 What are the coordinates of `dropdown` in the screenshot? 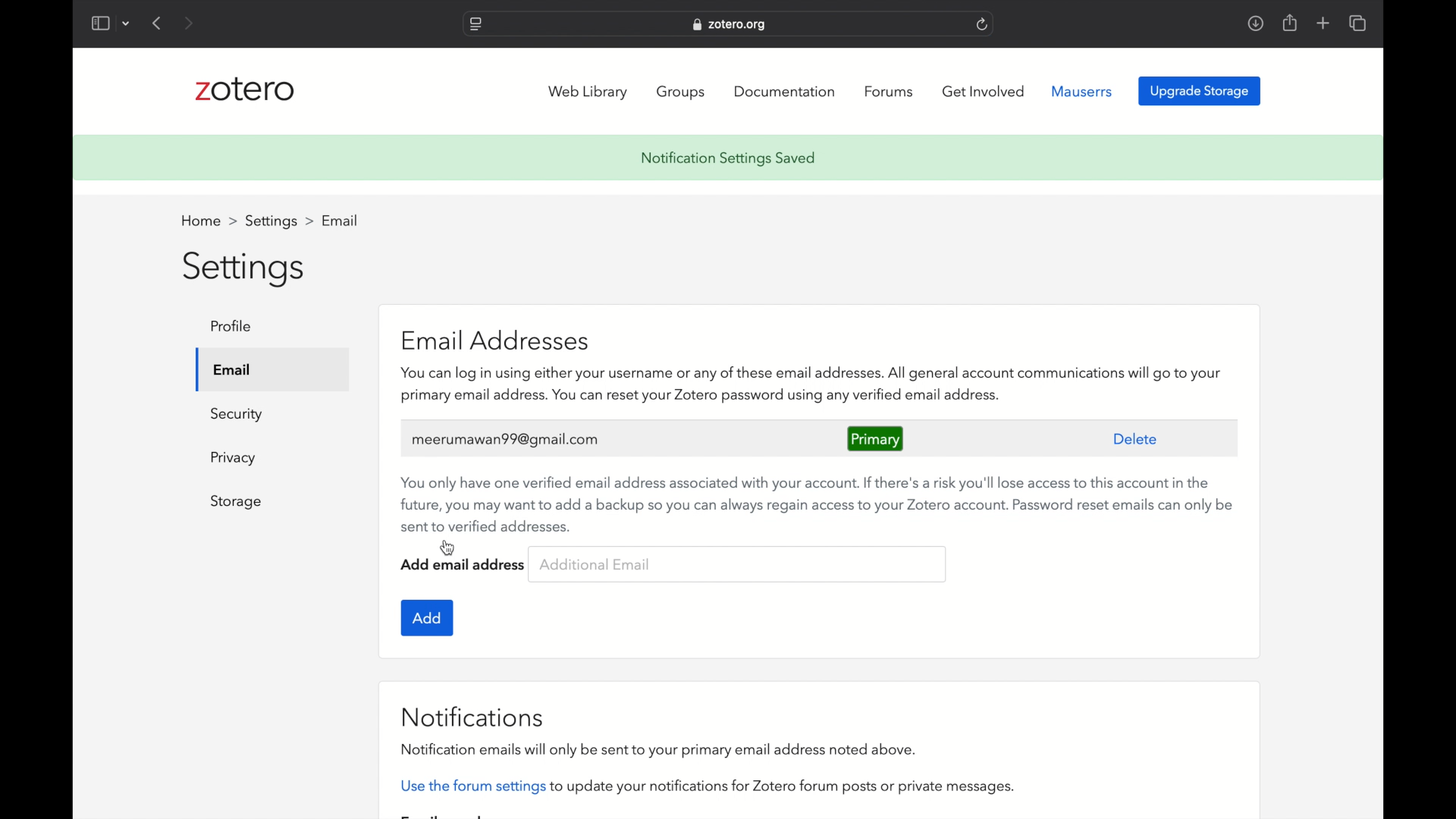 It's located at (126, 23).